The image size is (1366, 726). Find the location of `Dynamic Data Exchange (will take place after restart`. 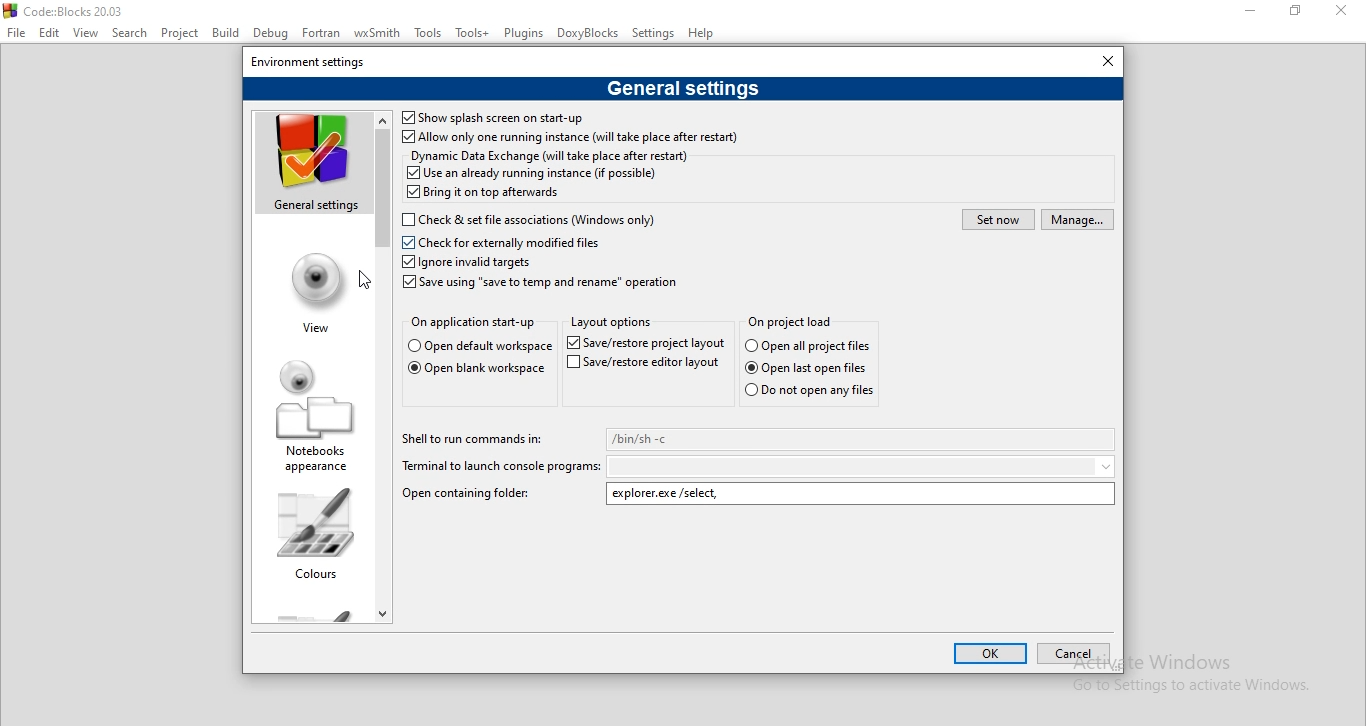

Dynamic Data Exchange (will take place after restart is located at coordinates (547, 157).